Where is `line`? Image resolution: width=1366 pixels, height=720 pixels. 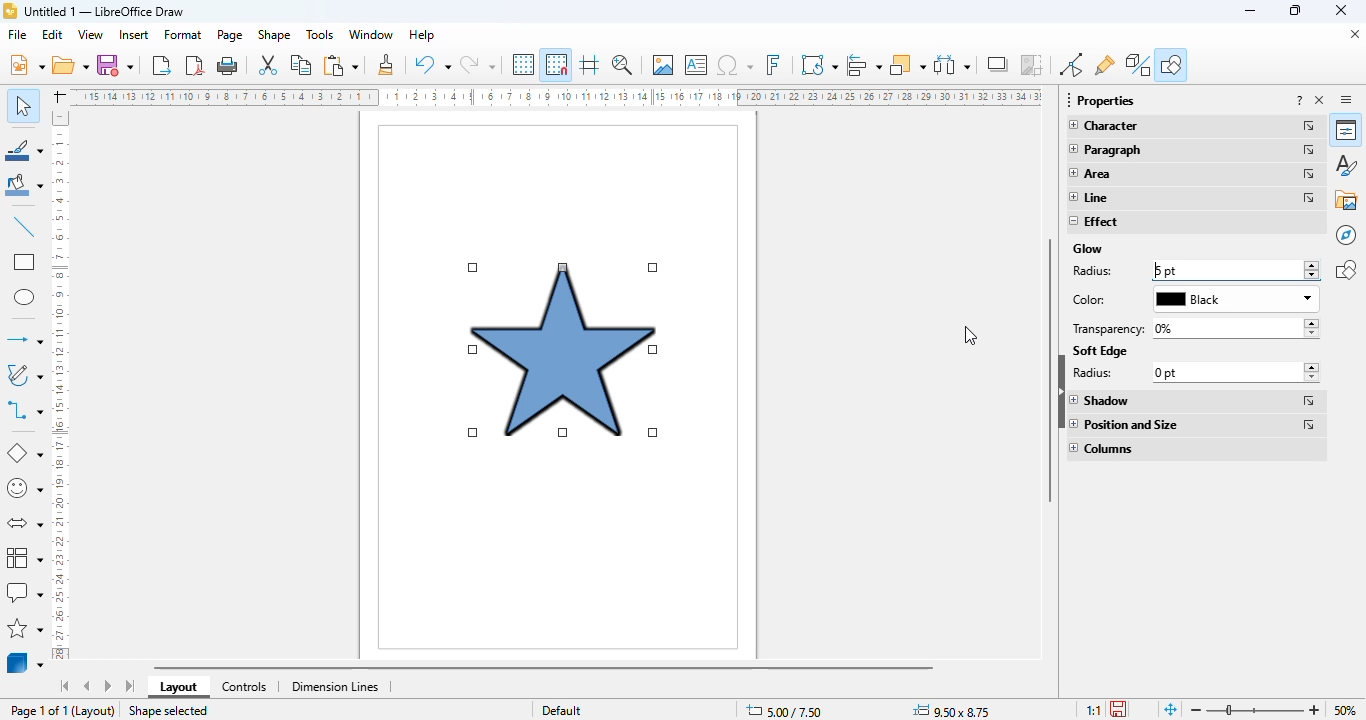
line is located at coordinates (1087, 196).